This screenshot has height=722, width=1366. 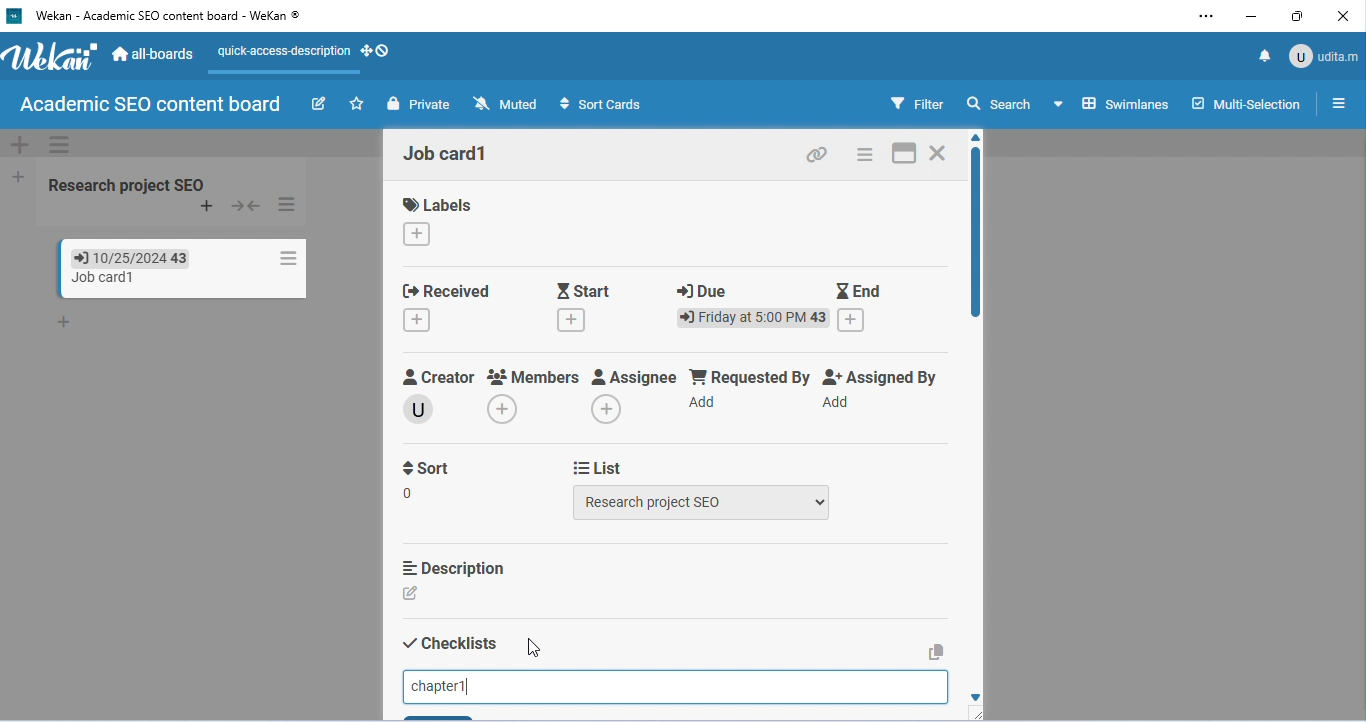 I want to click on creator name, so click(x=423, y=408).